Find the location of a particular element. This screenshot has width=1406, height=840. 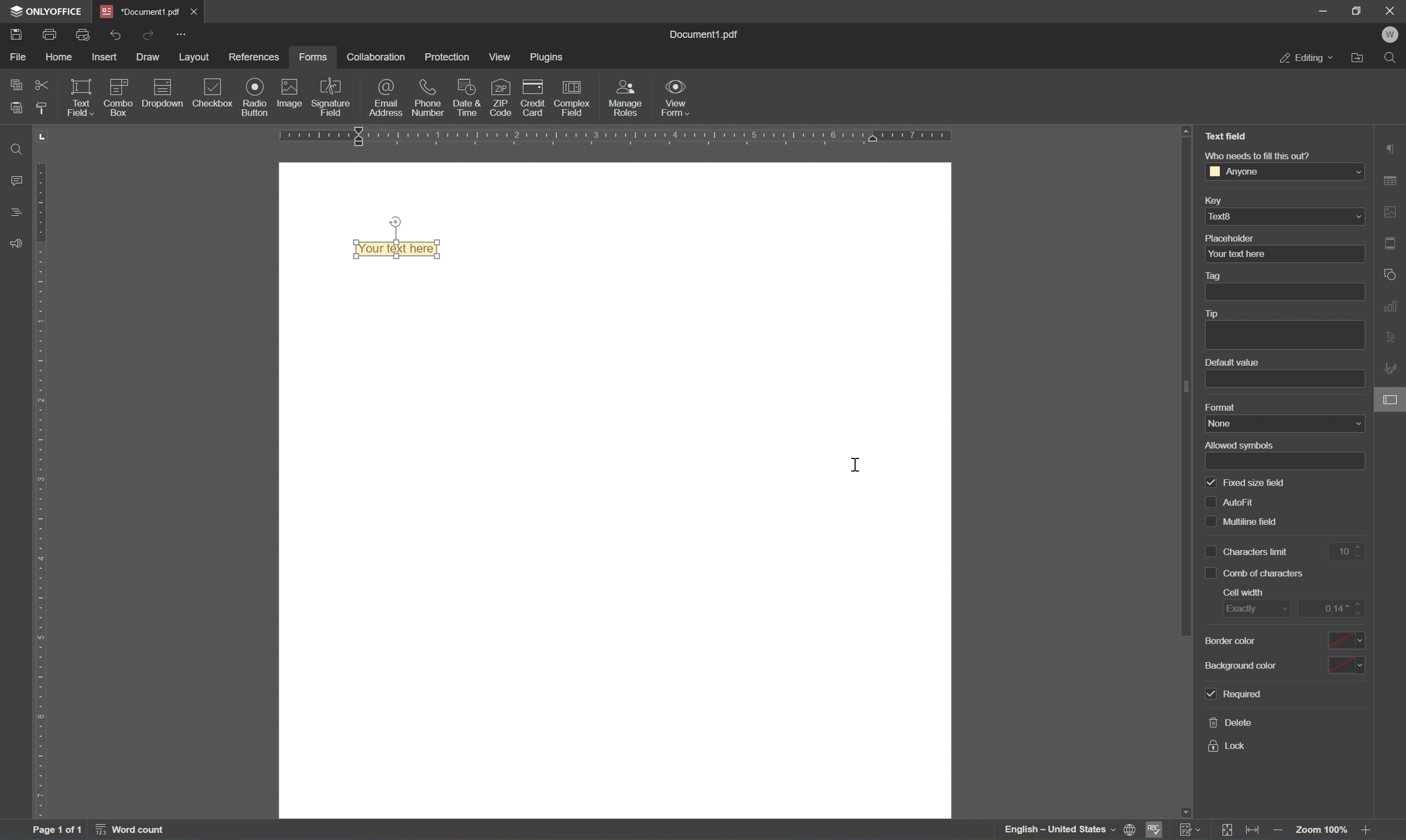

protection is located at coordinates (447, 56).